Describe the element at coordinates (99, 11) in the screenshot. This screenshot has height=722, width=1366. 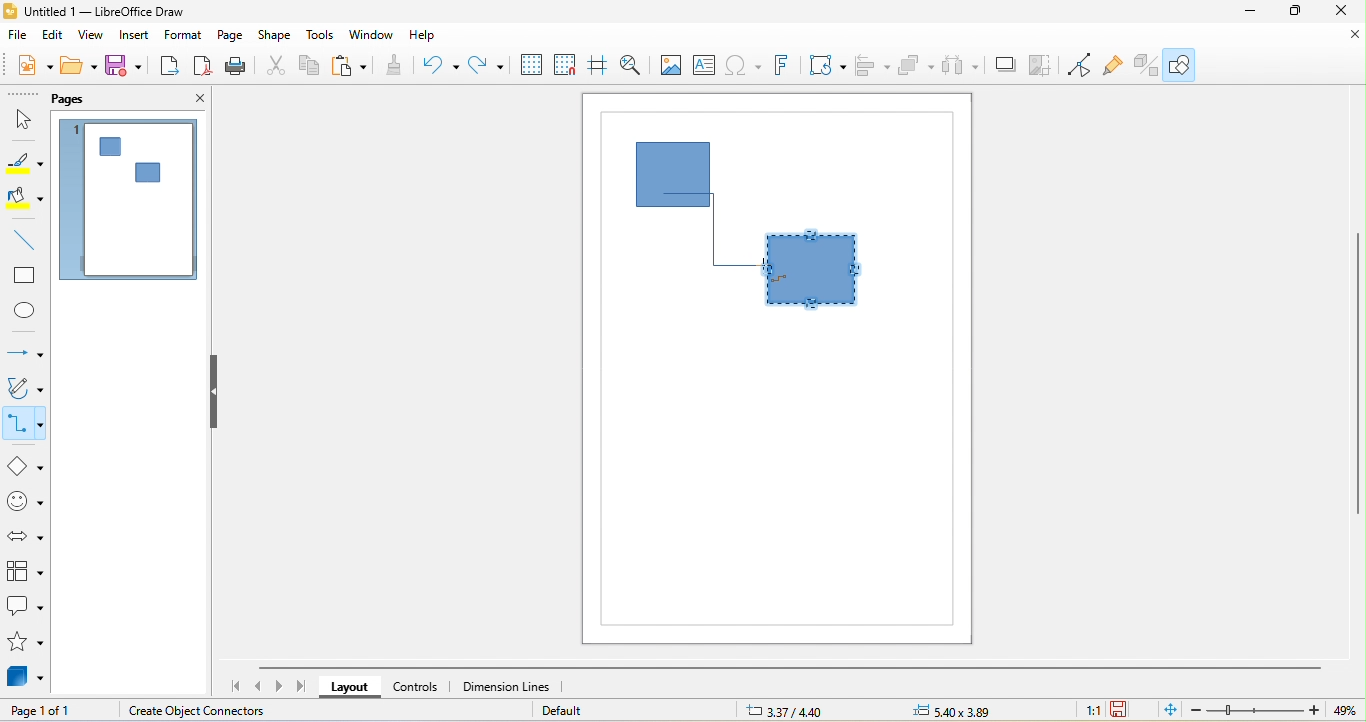
I see `untitled 1-libre office draw` at that location.